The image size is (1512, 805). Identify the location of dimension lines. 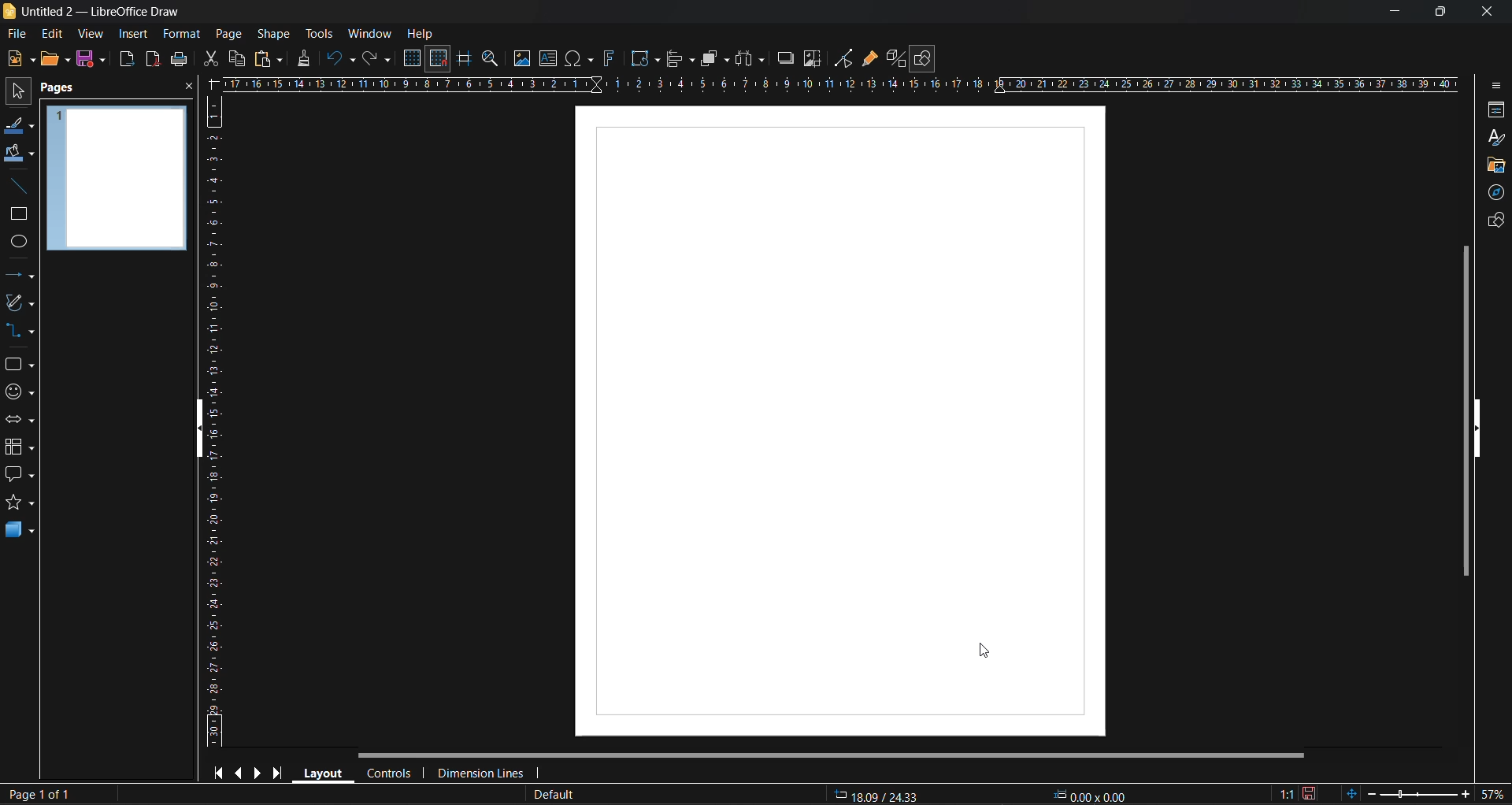
(485, 772).